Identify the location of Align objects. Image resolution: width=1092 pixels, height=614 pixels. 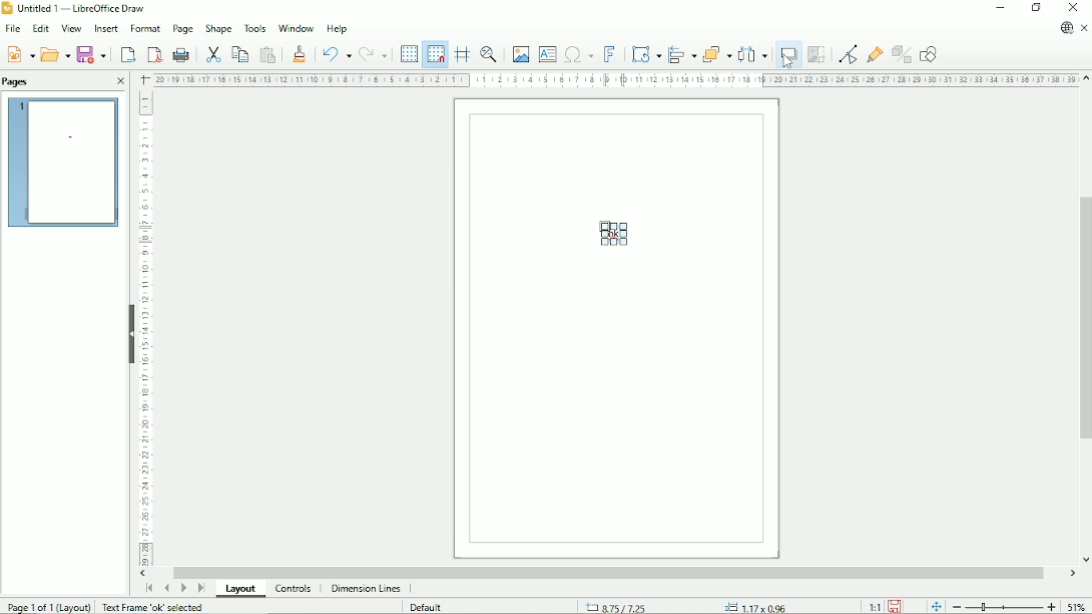
(681, 54).